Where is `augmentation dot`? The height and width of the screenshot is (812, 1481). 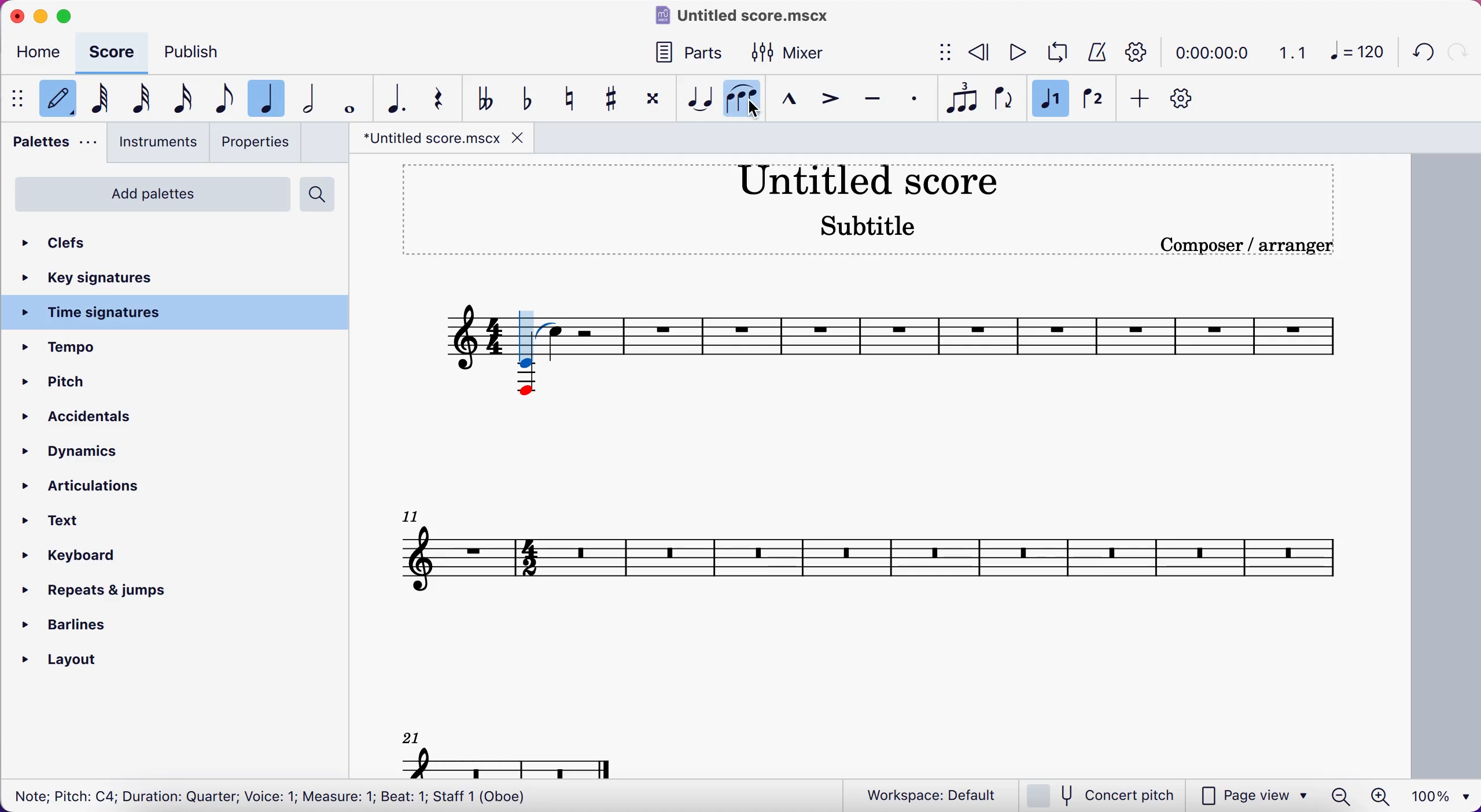
augmentation dot is located at coordinates (401, 98).